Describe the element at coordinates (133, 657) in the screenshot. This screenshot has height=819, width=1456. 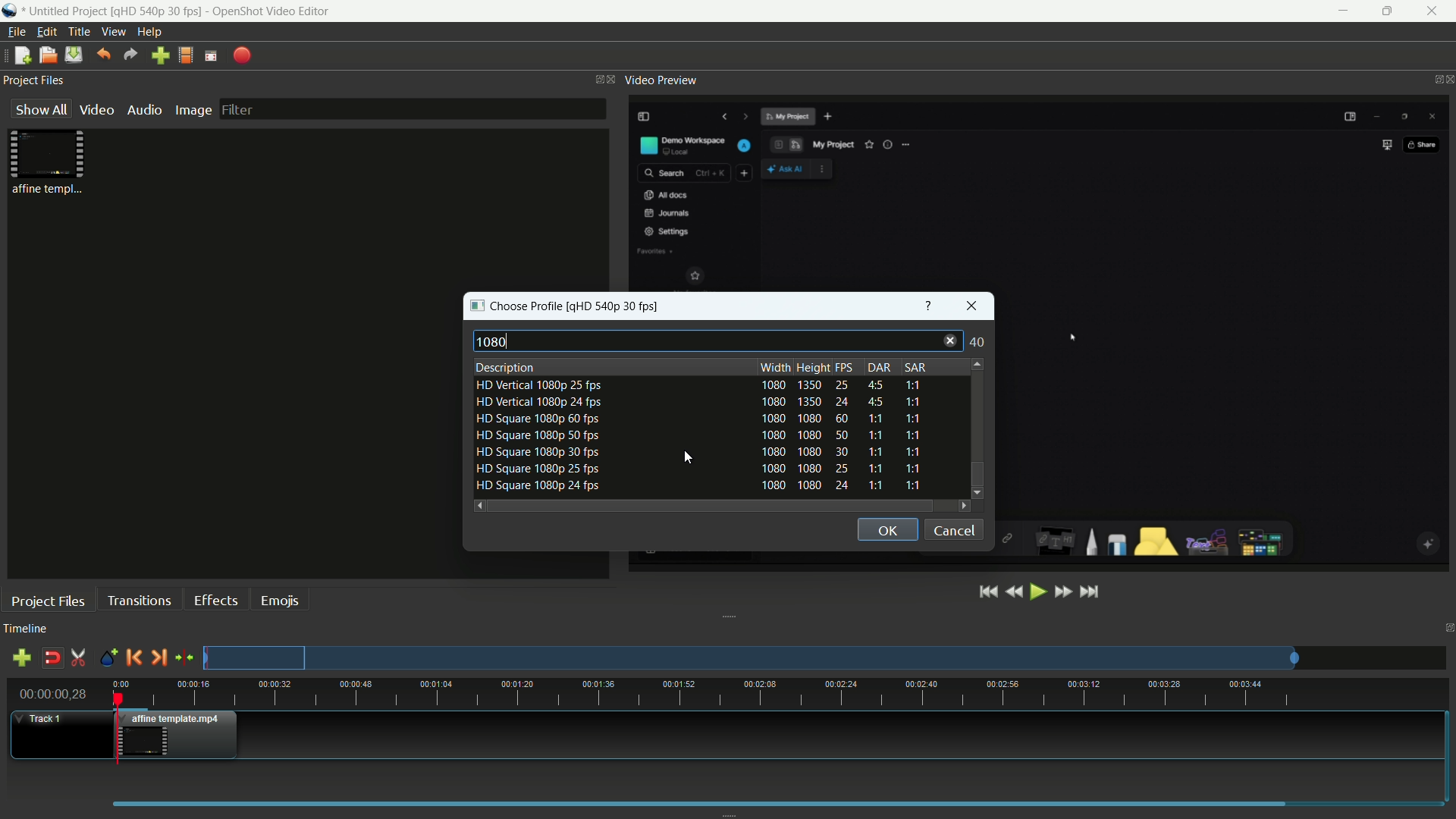
I see `previous marker` at that location.